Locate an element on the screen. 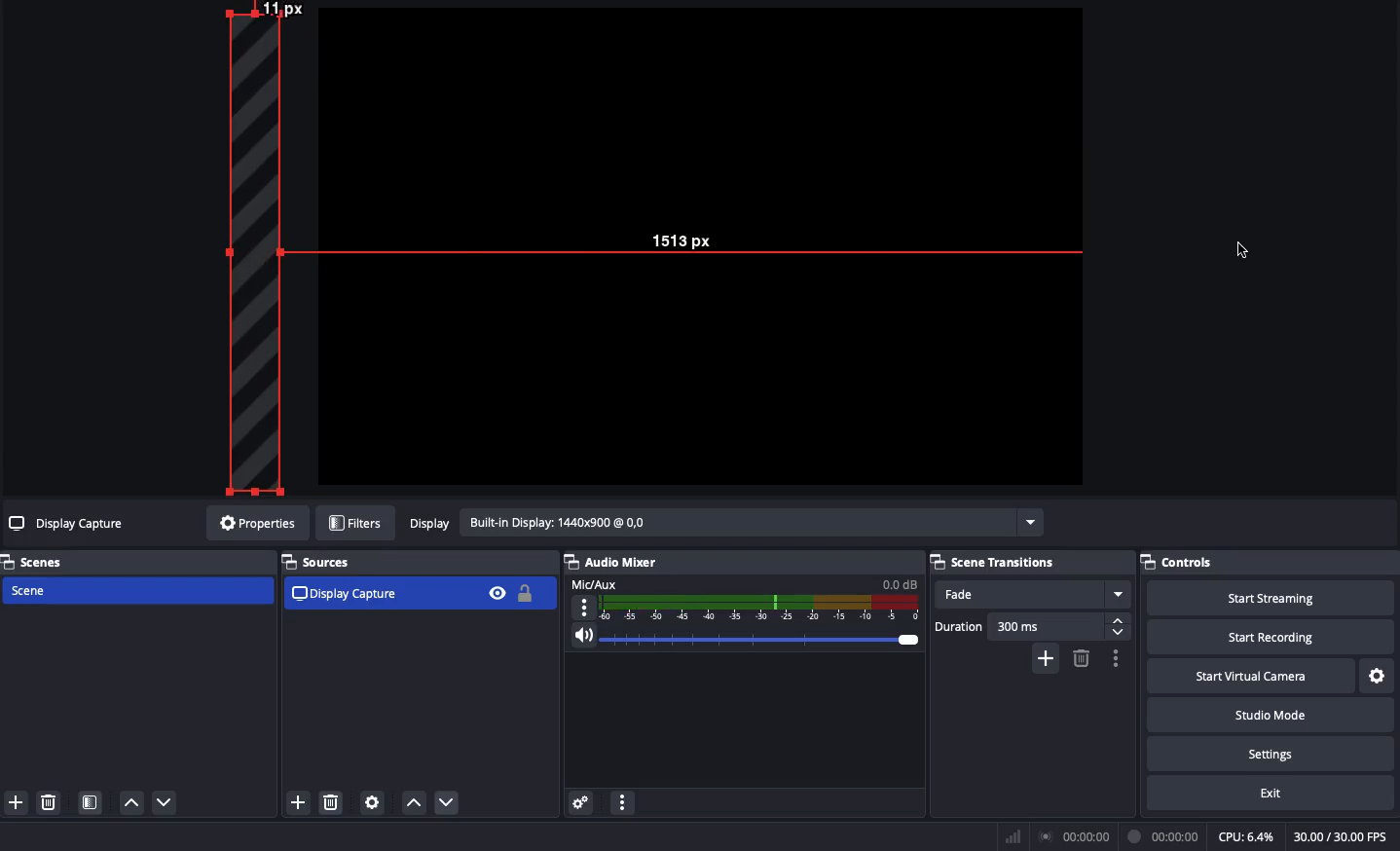 Image resolution: width=1400 pixels, height=851 pixels. Click is located at coordinates (1246, 253).